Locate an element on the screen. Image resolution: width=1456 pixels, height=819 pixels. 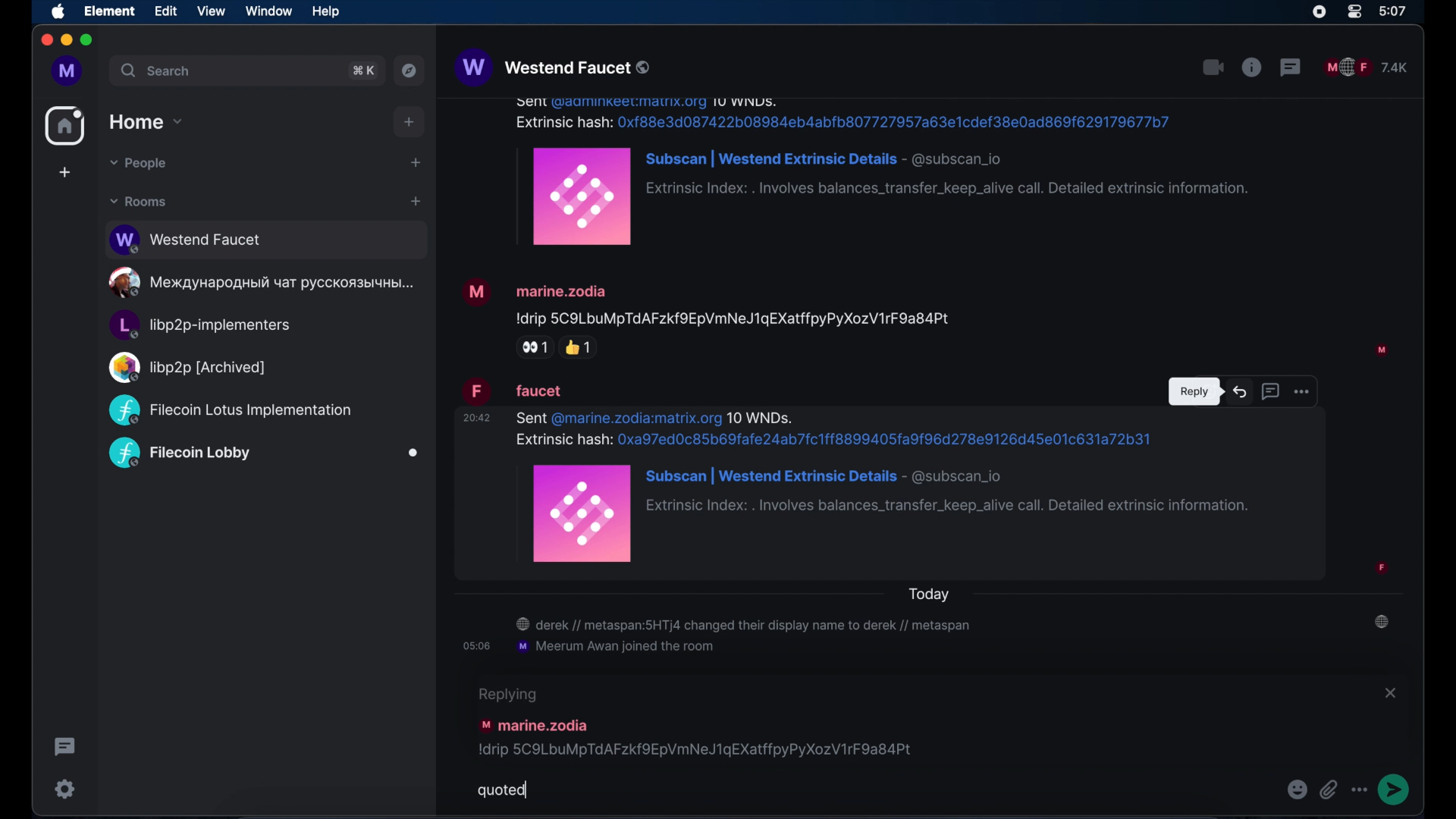
message is located at coordinates (629, 401).